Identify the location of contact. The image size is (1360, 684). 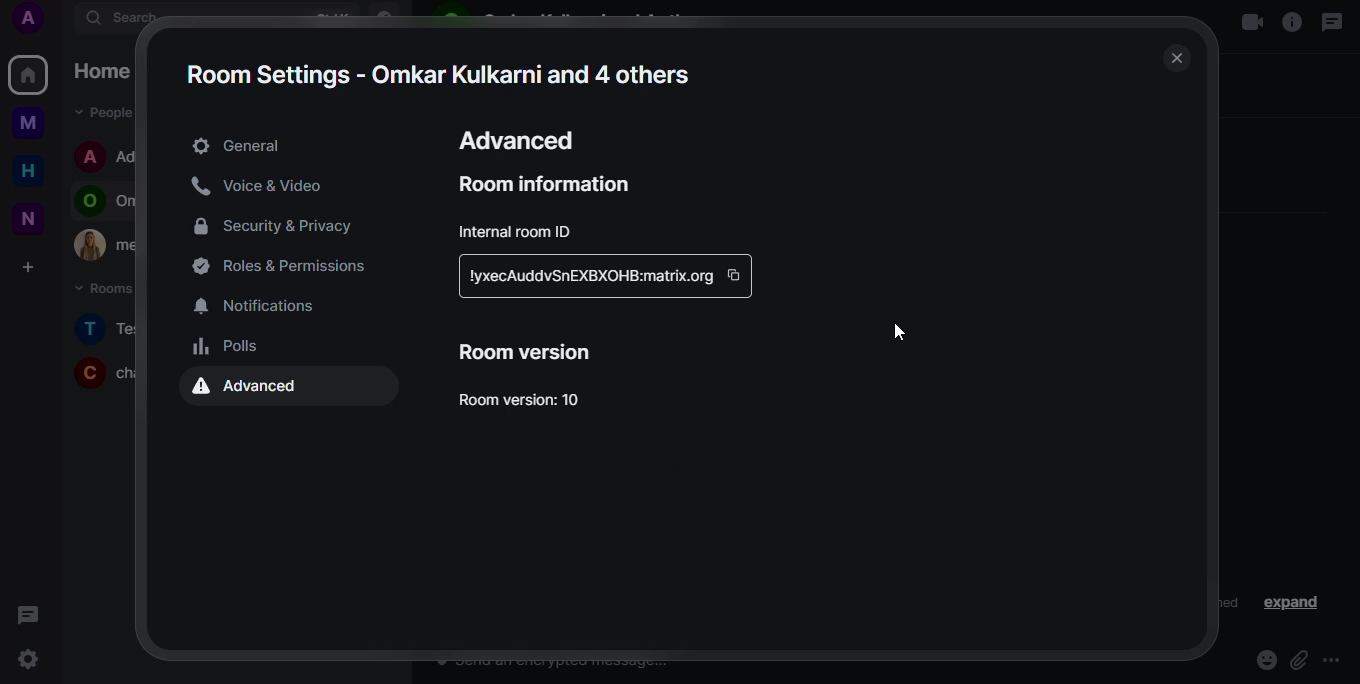
(107, 245).